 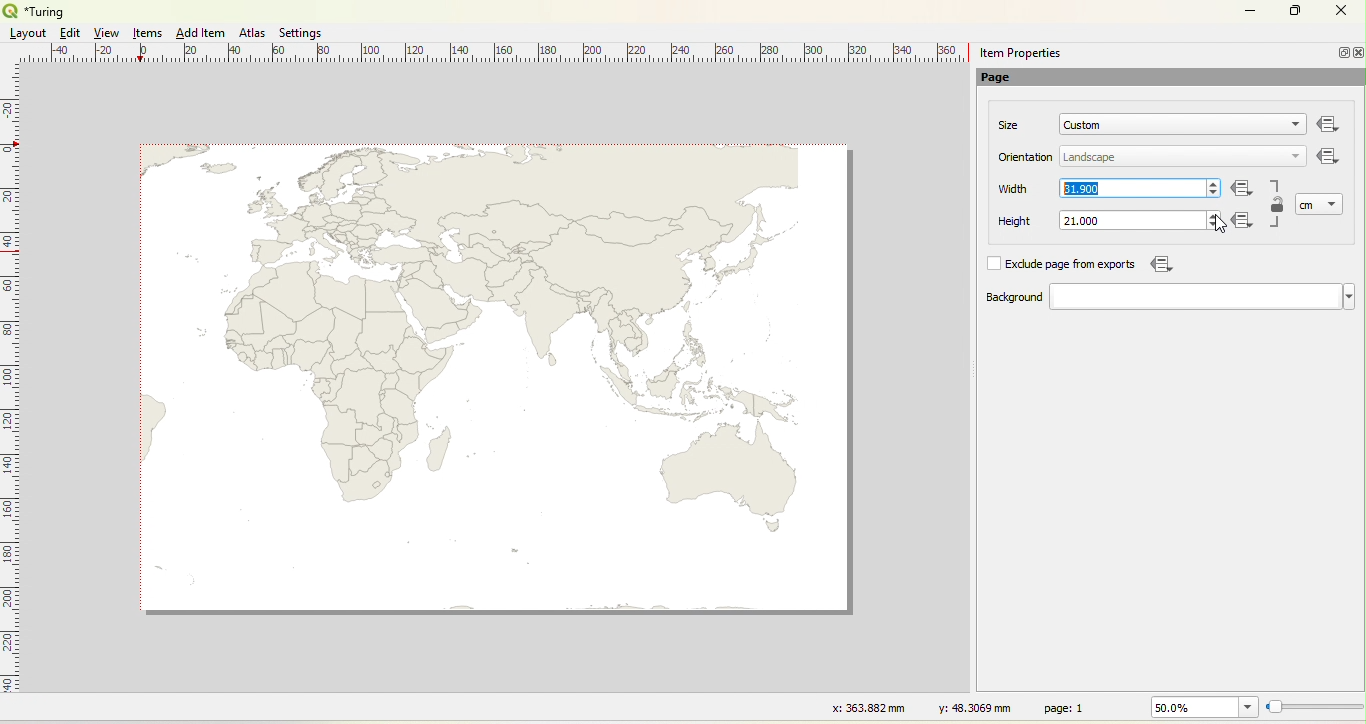 I want to click on Minimize, so click(x=1250, y=9).